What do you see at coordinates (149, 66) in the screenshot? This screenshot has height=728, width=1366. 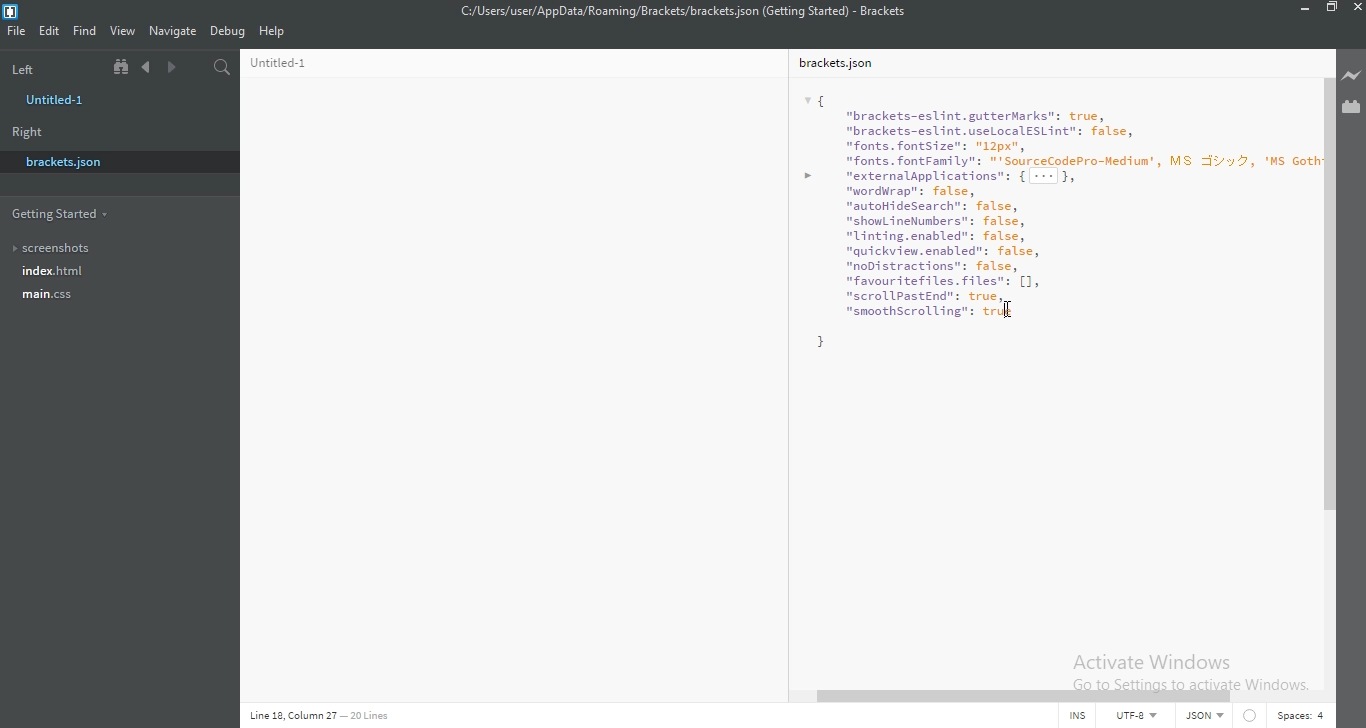 I see `Previous document` at bounding box center [149, 66].